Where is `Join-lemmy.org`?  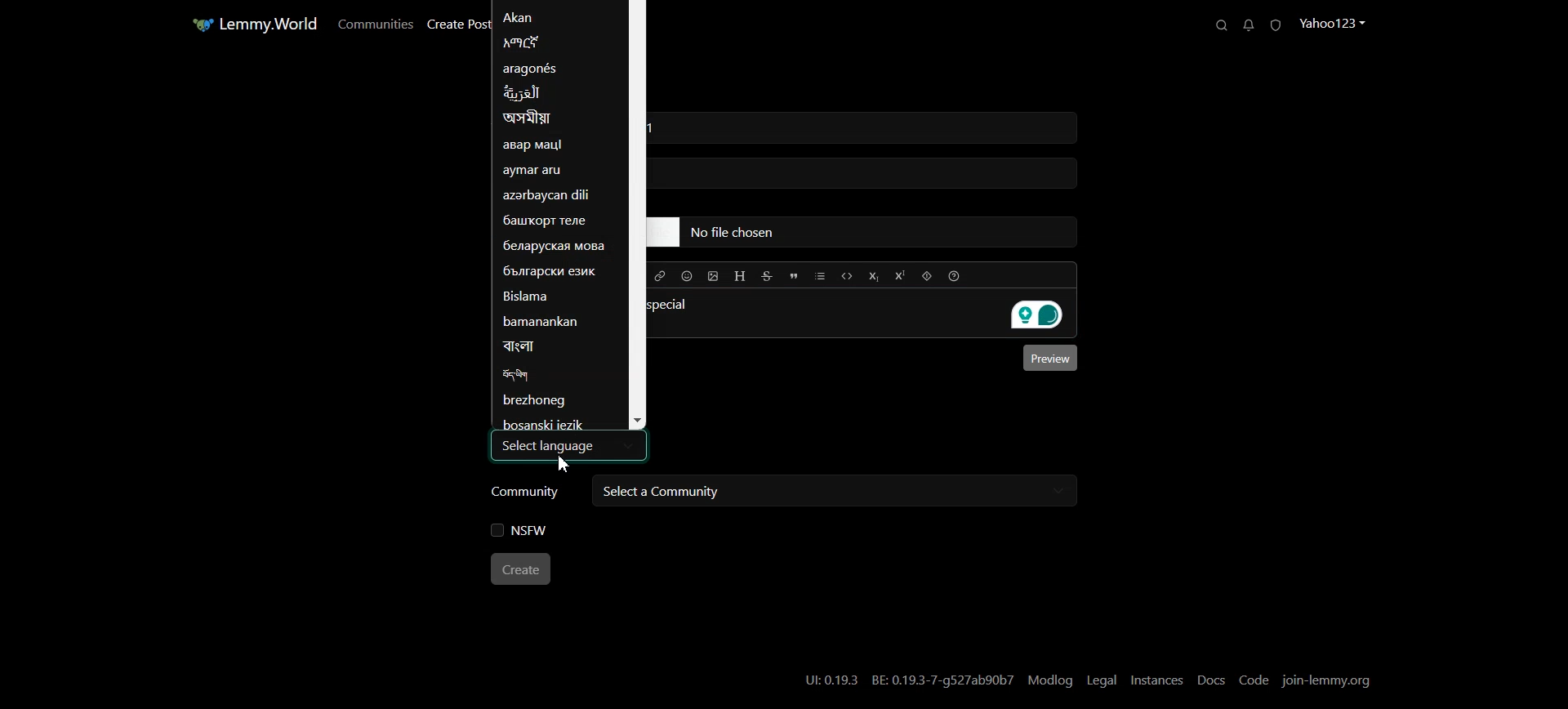 Join-lemmy.org is located at coordinates (1329, 680).